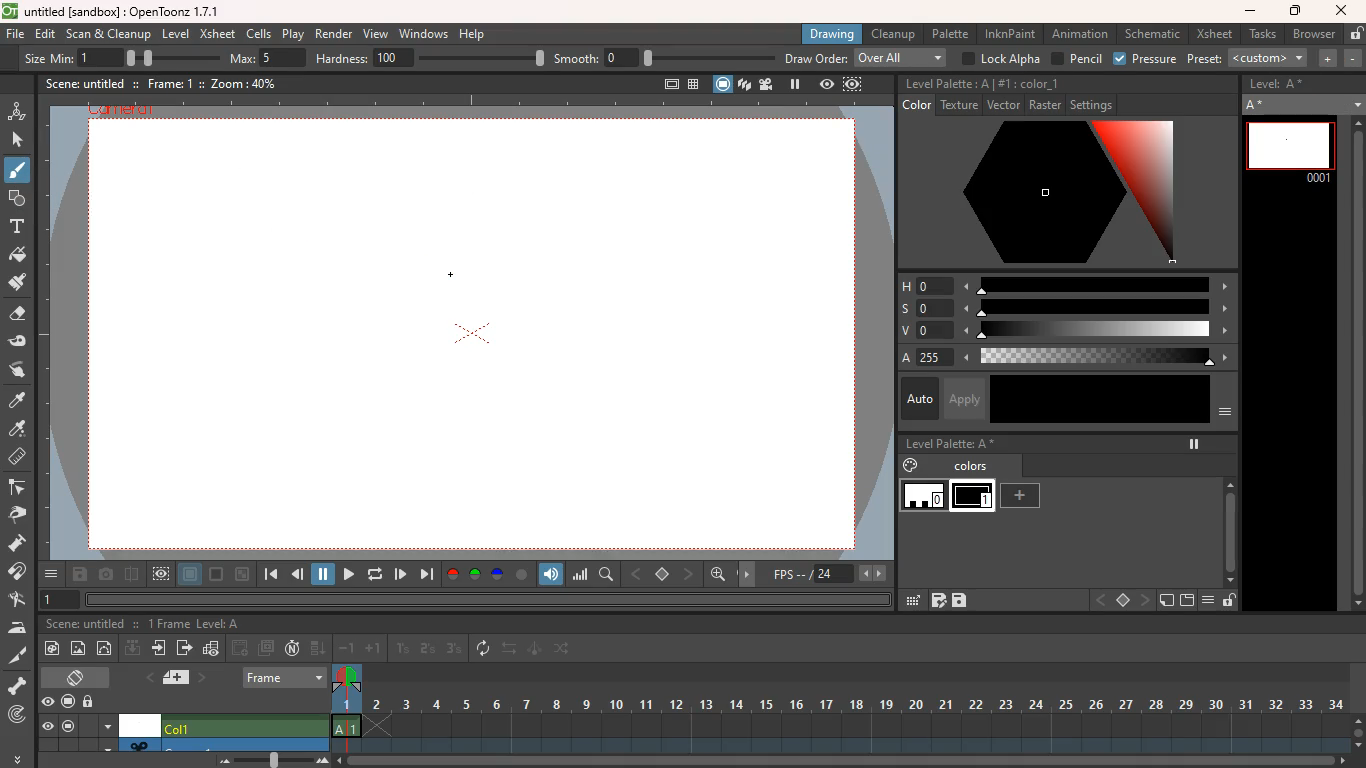  Describe the element at coordinates (20, 601) in the screenshot. I see `tap` at that location.